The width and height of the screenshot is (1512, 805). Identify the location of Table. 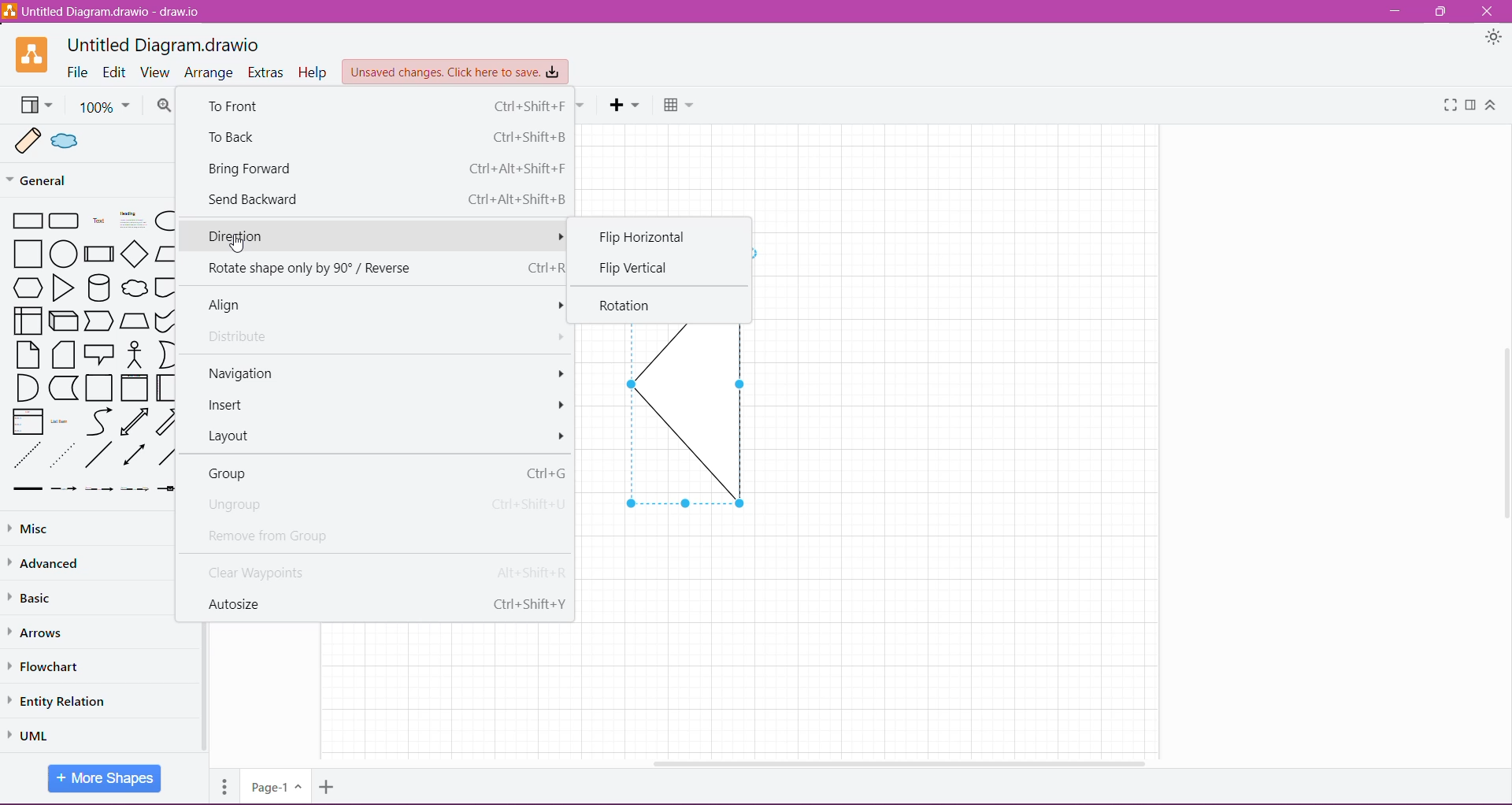
(679, 106).